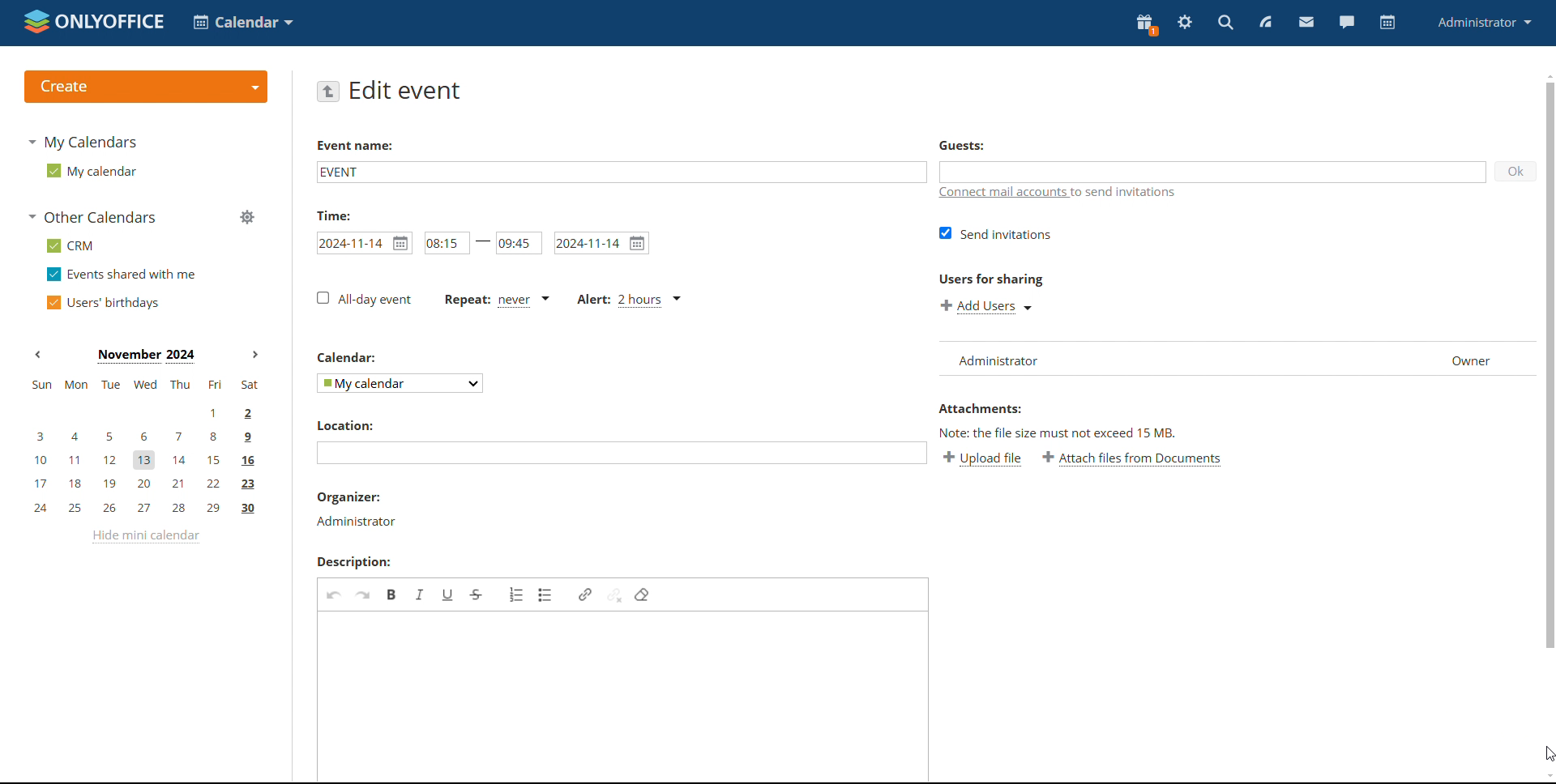 This screenshot has width=1556, height=784. What do you see at coordinates (101, 302) in the screenshot?
I see `users' birthdays` at bounding box center [101, 302].